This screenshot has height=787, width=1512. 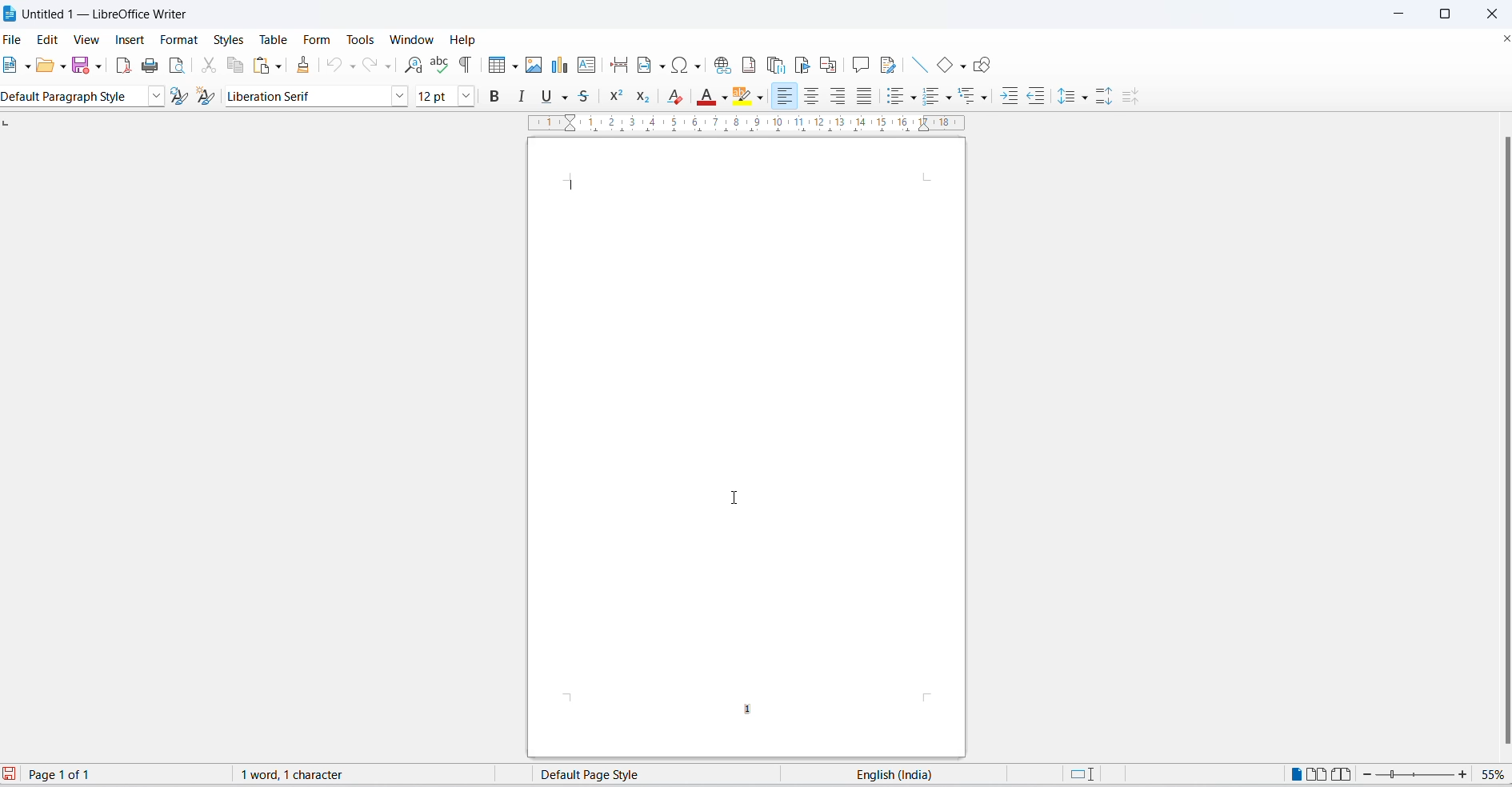 I want to click on insert line, so click(x=919, y=63).